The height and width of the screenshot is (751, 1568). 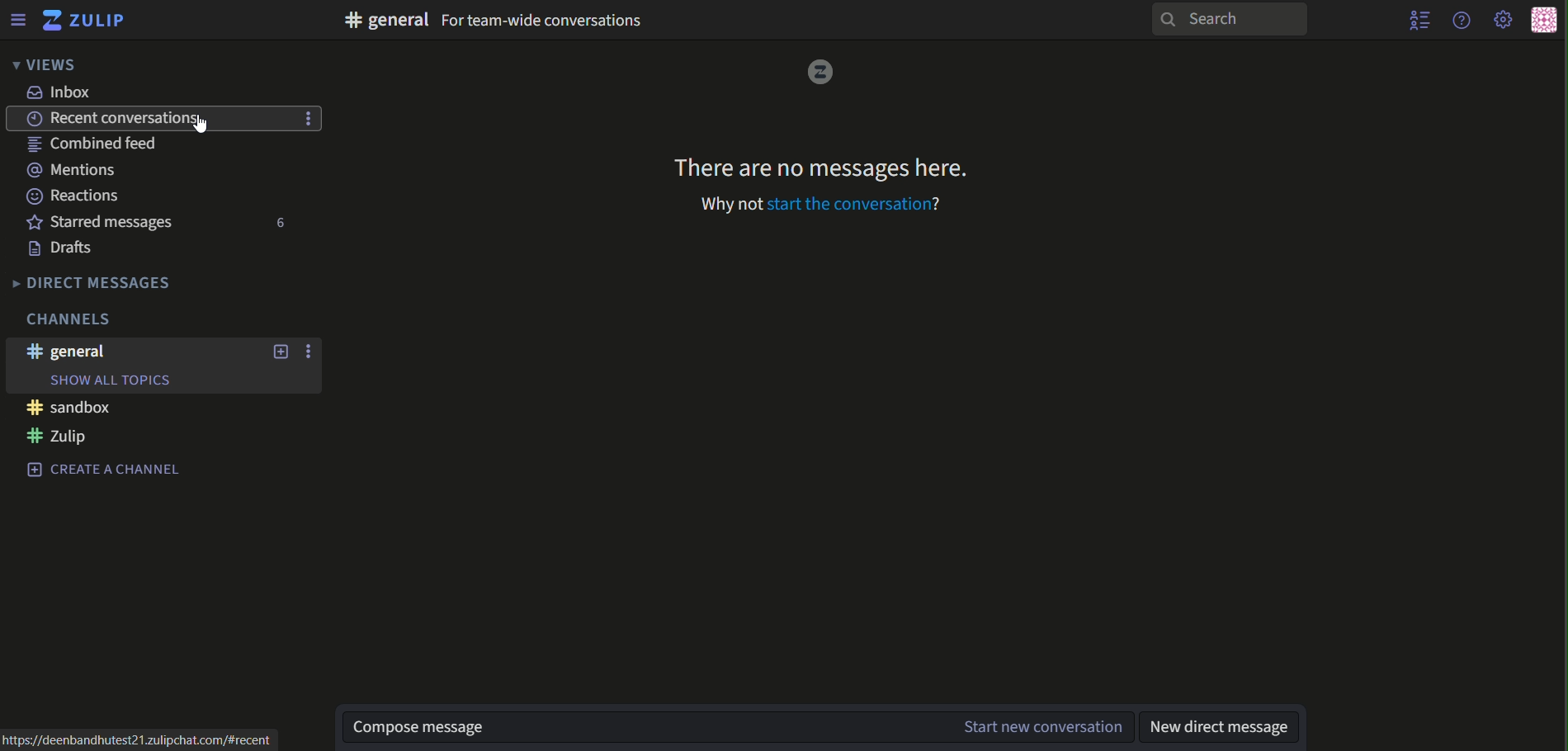 I want to click on user list, so click(x=1421, y=20).